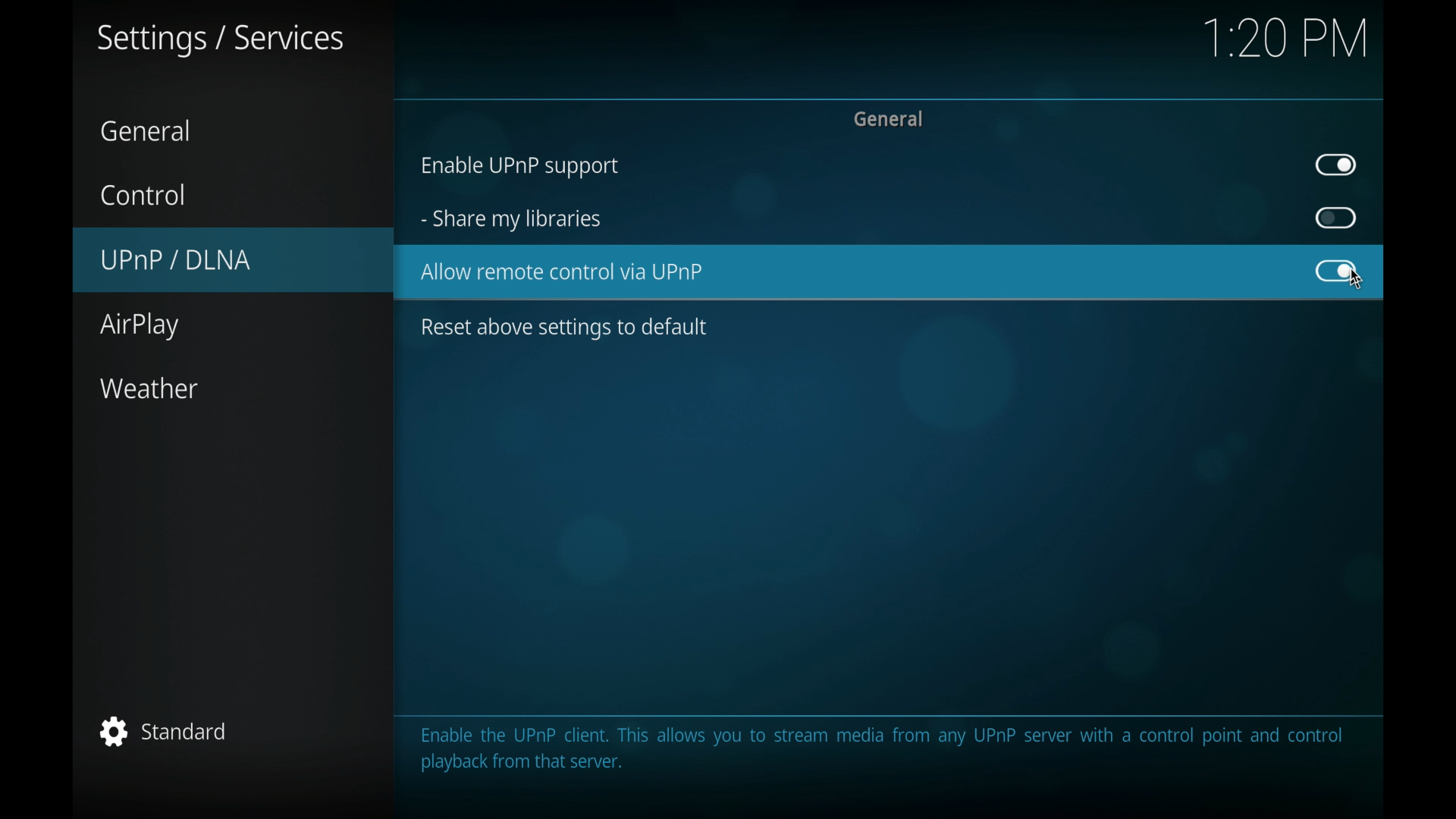 This screenshot has width=1456, height=819. What do you see at coordinates (518, 168) in the screenshot?
I see `enable UPnP support` at bounding box center [518, 168].